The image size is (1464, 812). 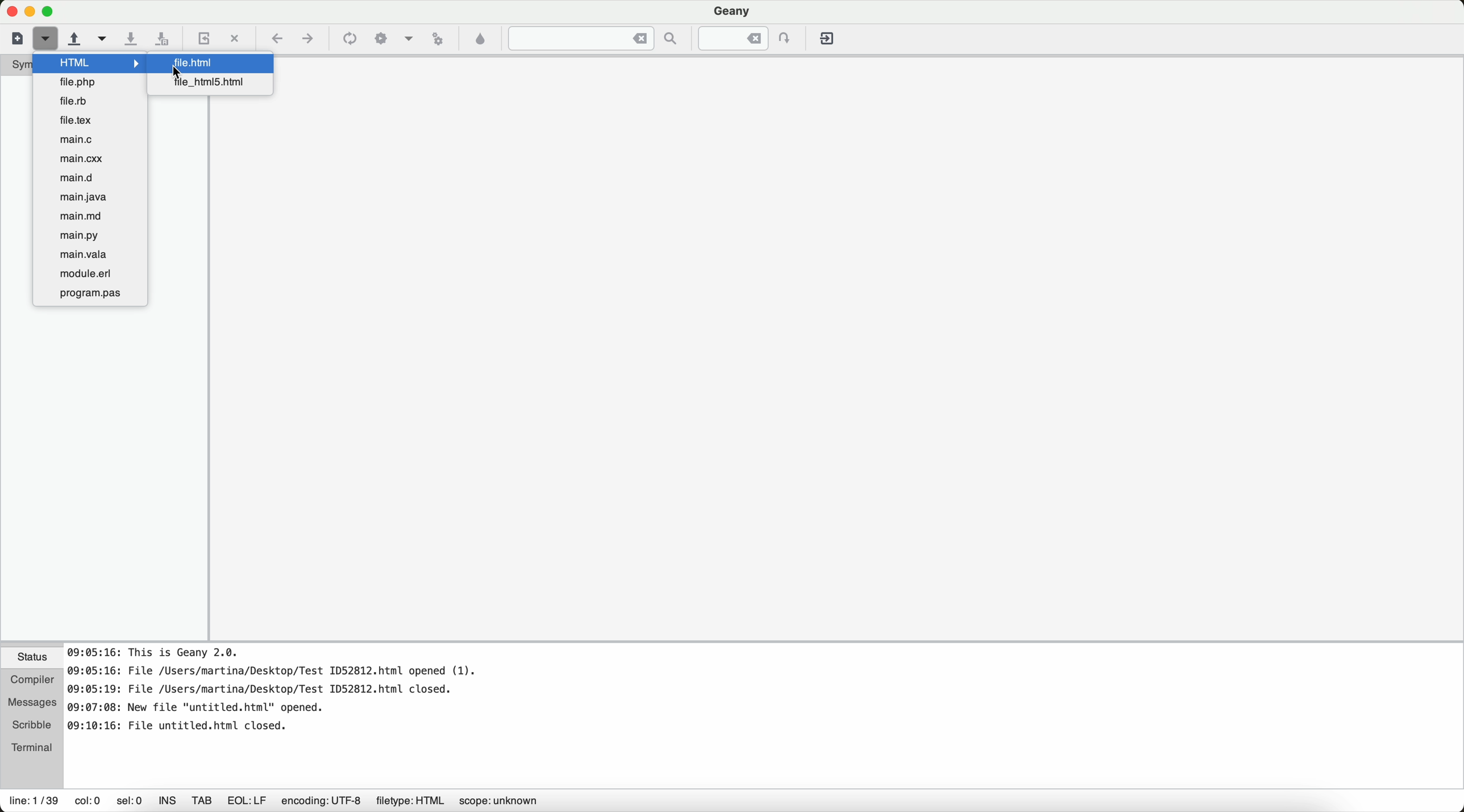 I want to click on jump to the entered line numbered, so click(x=748, y=39).